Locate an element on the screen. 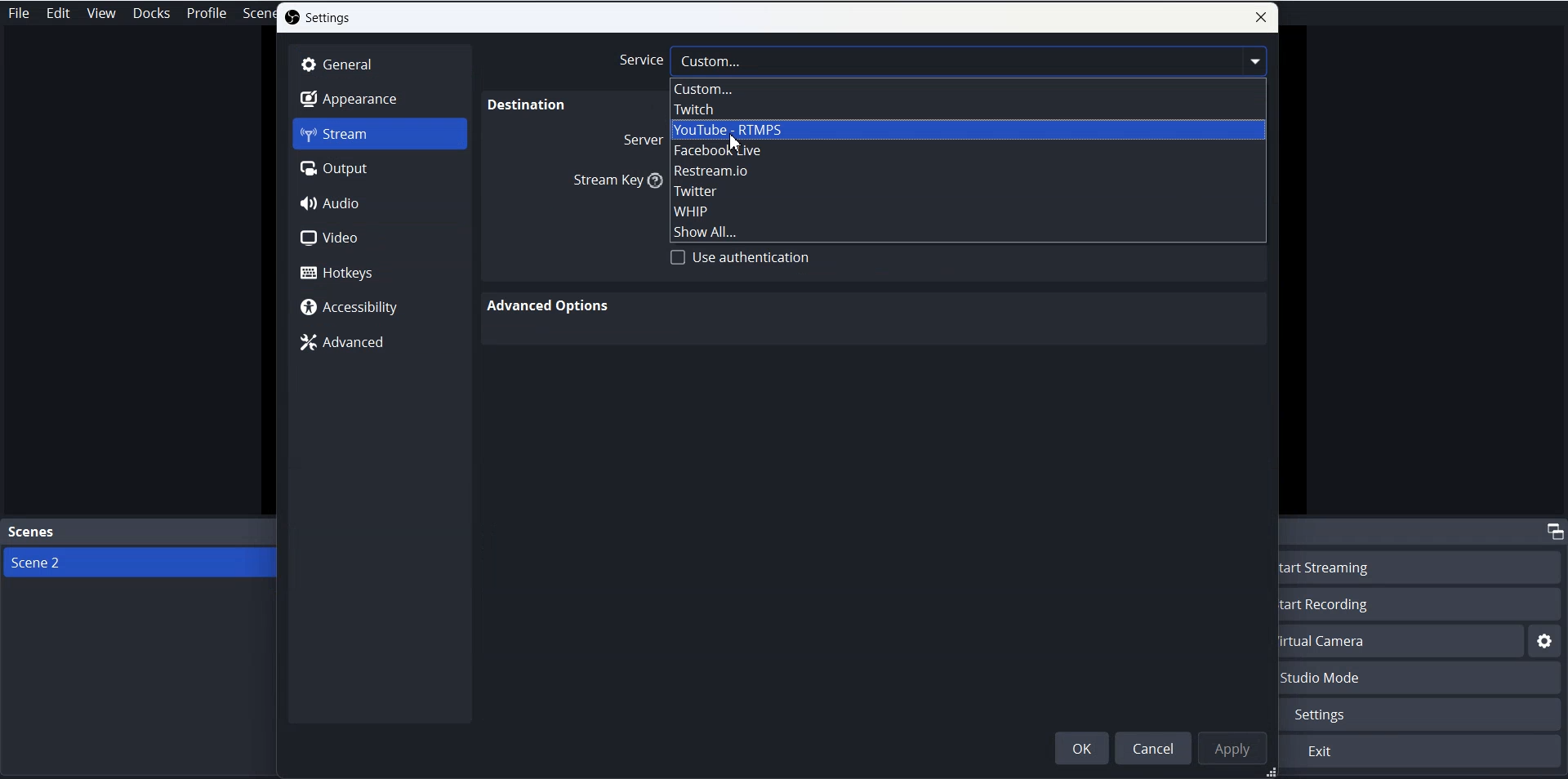 Image resolution: width=1568 pixels, height=779 pixels. Stream is located at coordinates (380, 134).